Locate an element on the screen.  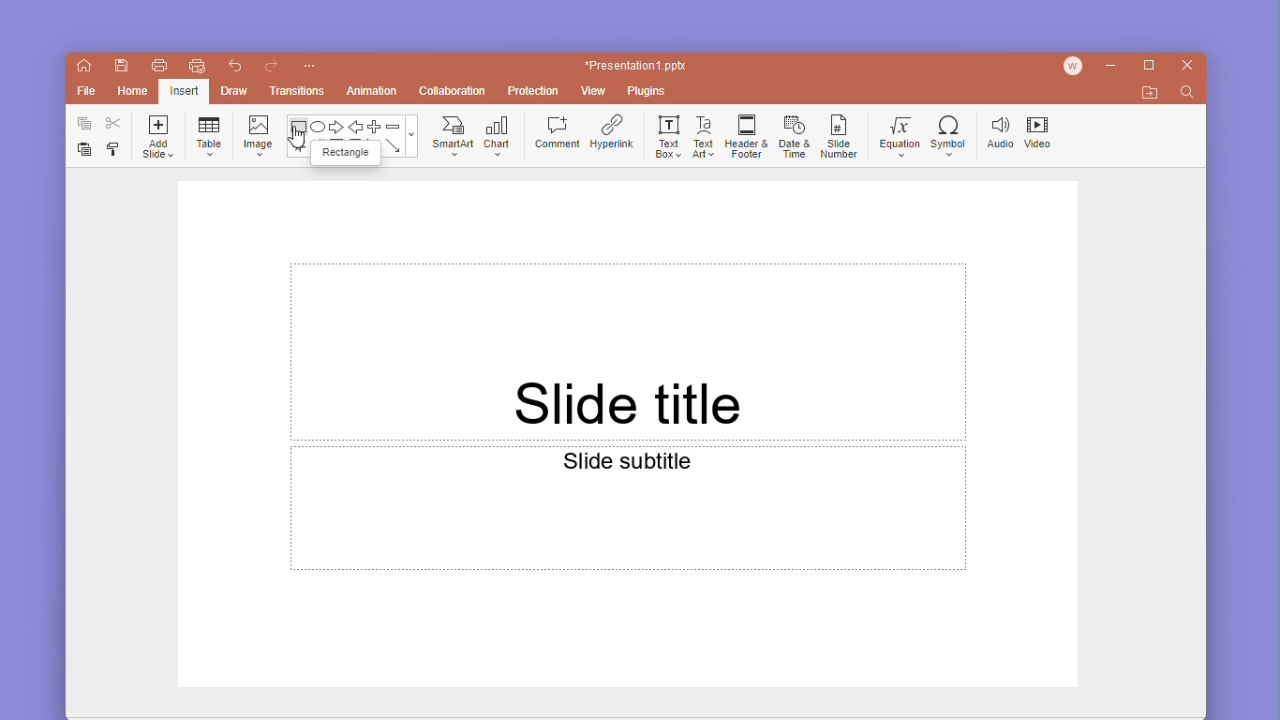
maximize is located at coordinates (1146, 66).